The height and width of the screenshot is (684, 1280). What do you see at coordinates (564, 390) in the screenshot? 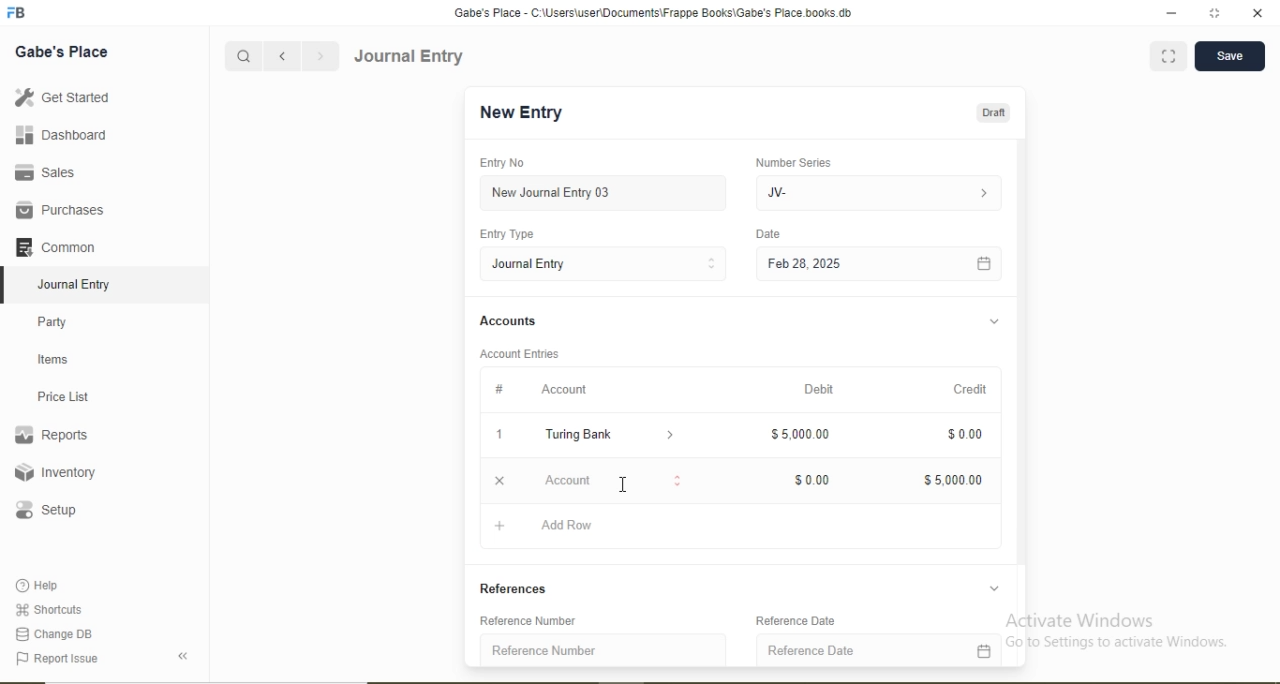
I see `Account` at bounding box center [564, 390].